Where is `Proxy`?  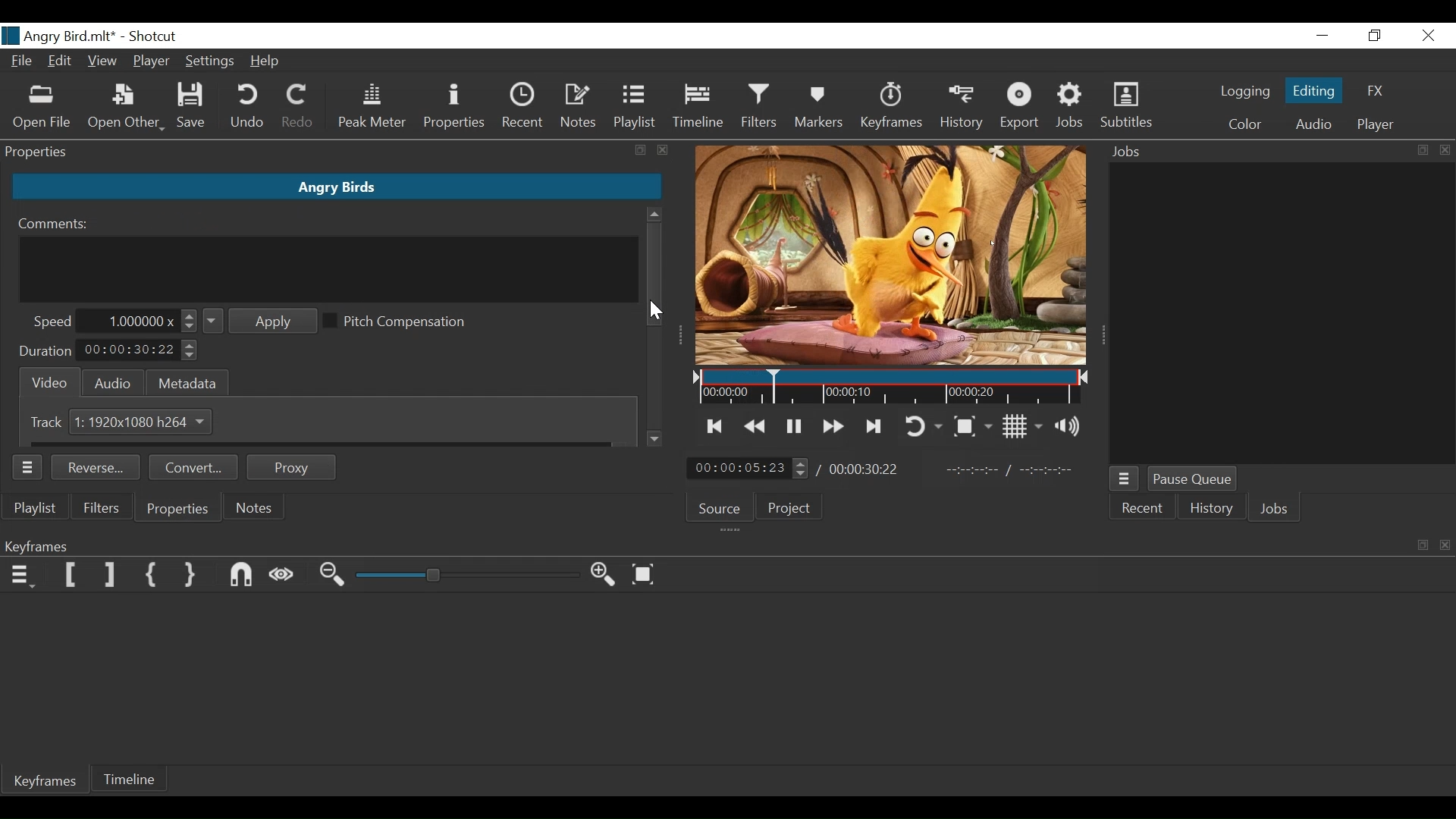 Proxy is located at coordinates (293, 467).